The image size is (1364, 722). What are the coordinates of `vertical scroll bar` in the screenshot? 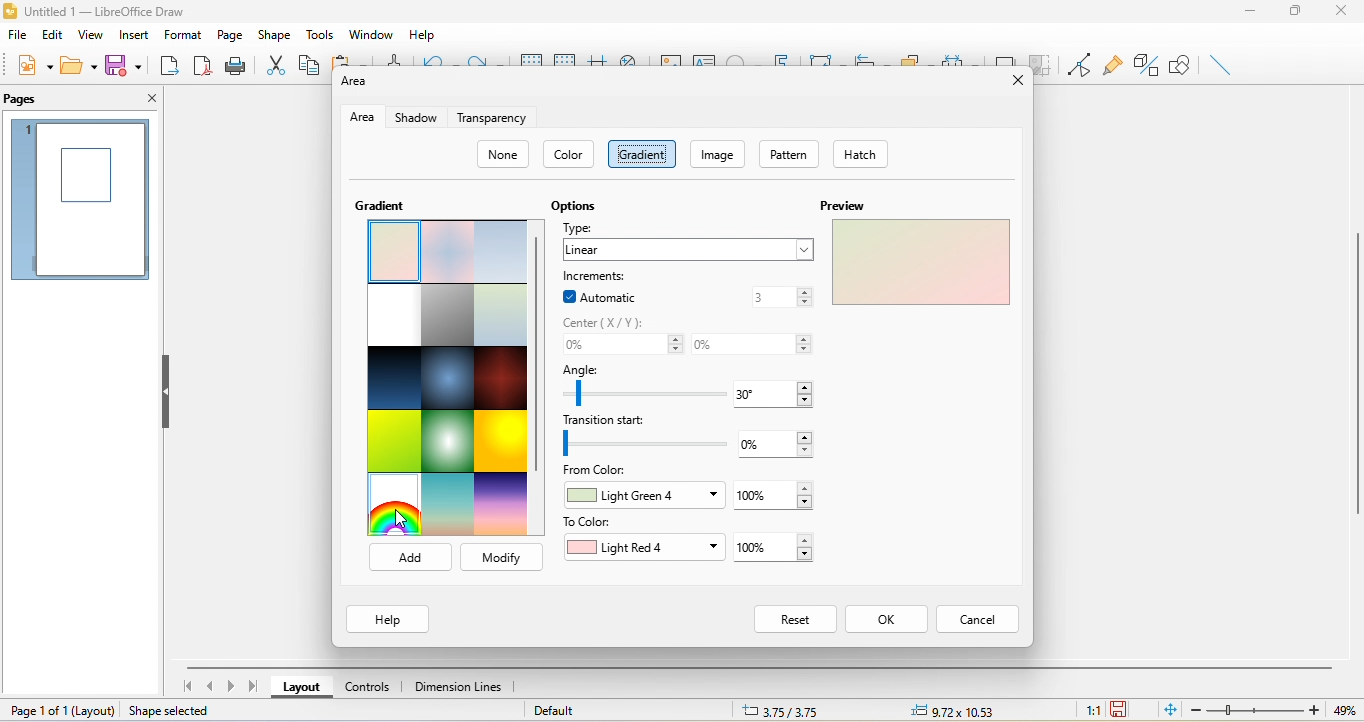 It's located at (538, 352).